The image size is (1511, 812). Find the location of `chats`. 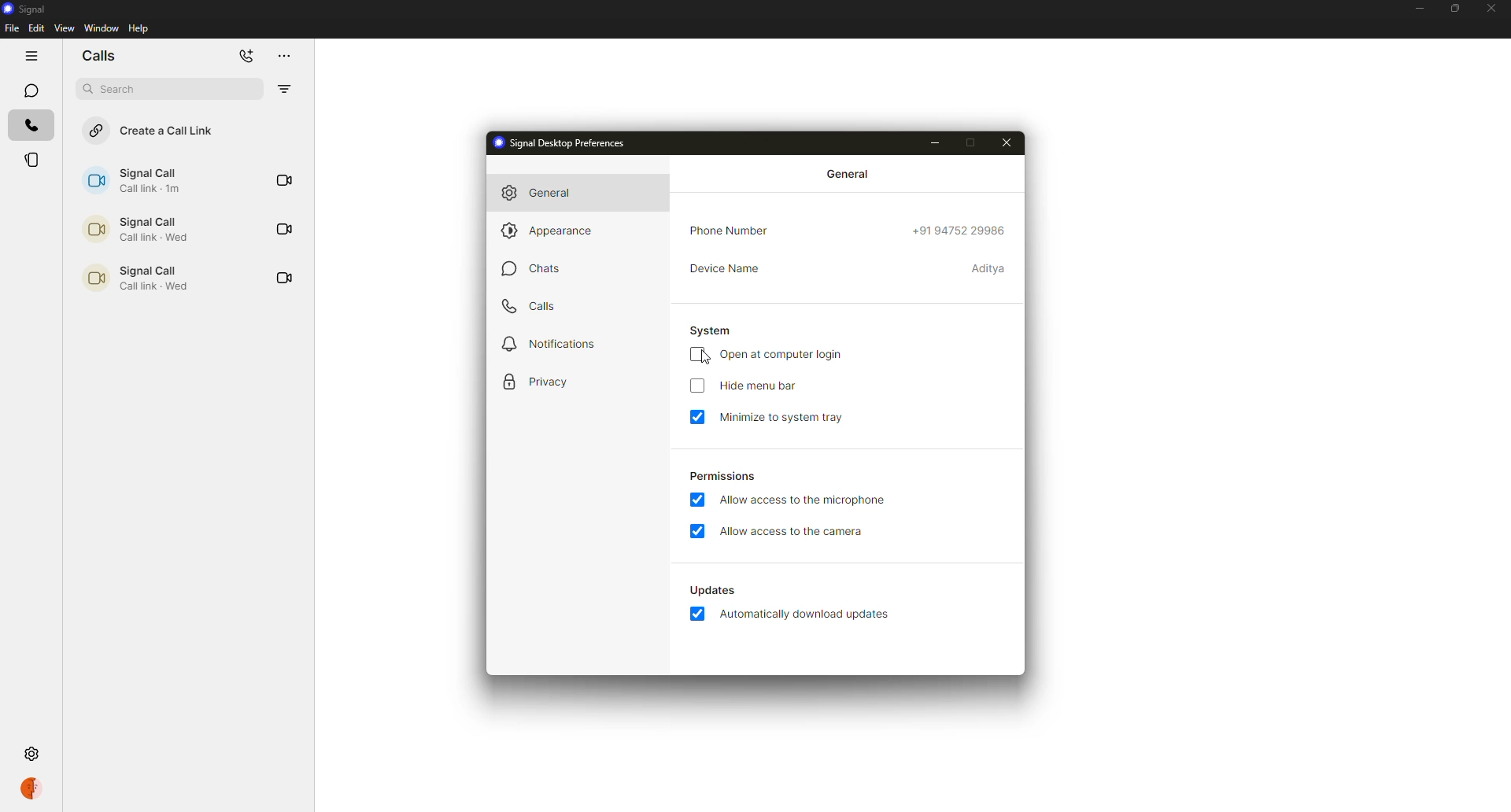

chats is located at coordinates (98, 55).